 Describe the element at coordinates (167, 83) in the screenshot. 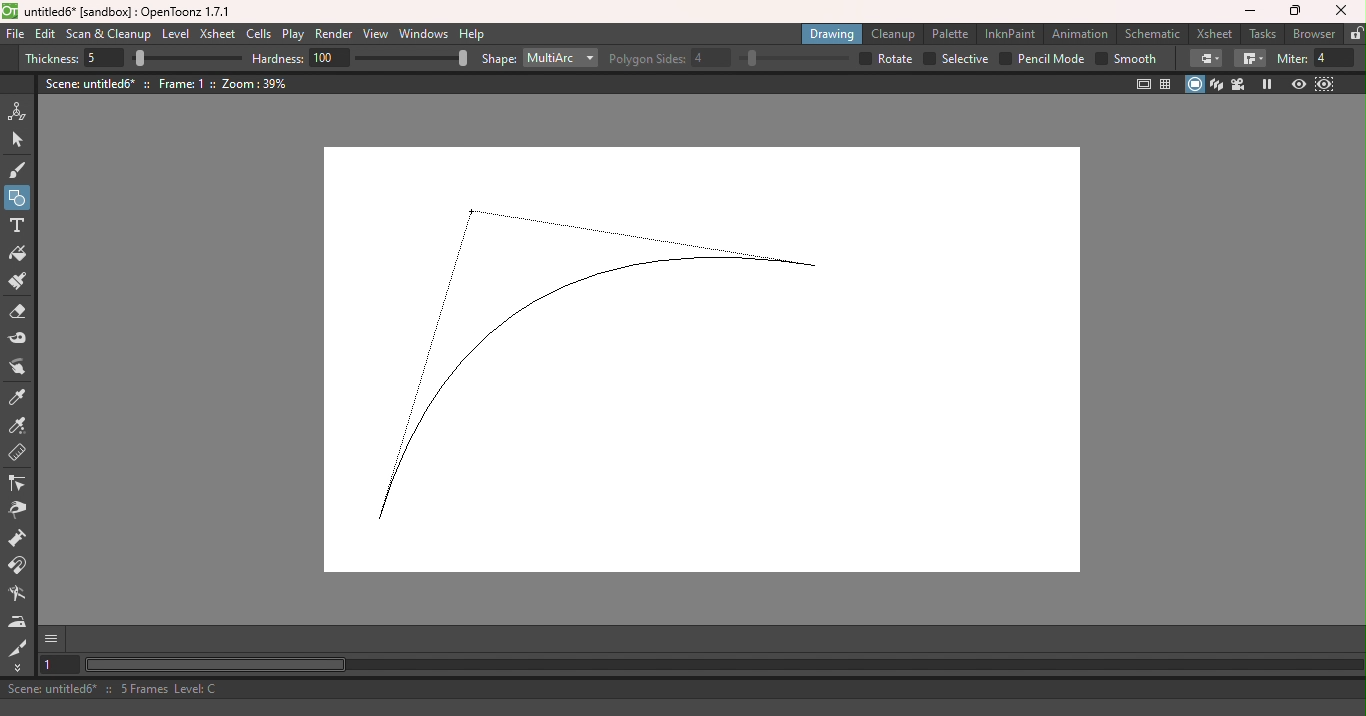

I see `Scene: untitled6* :: Frame: 1 :: Zoom: 39%` at that location.